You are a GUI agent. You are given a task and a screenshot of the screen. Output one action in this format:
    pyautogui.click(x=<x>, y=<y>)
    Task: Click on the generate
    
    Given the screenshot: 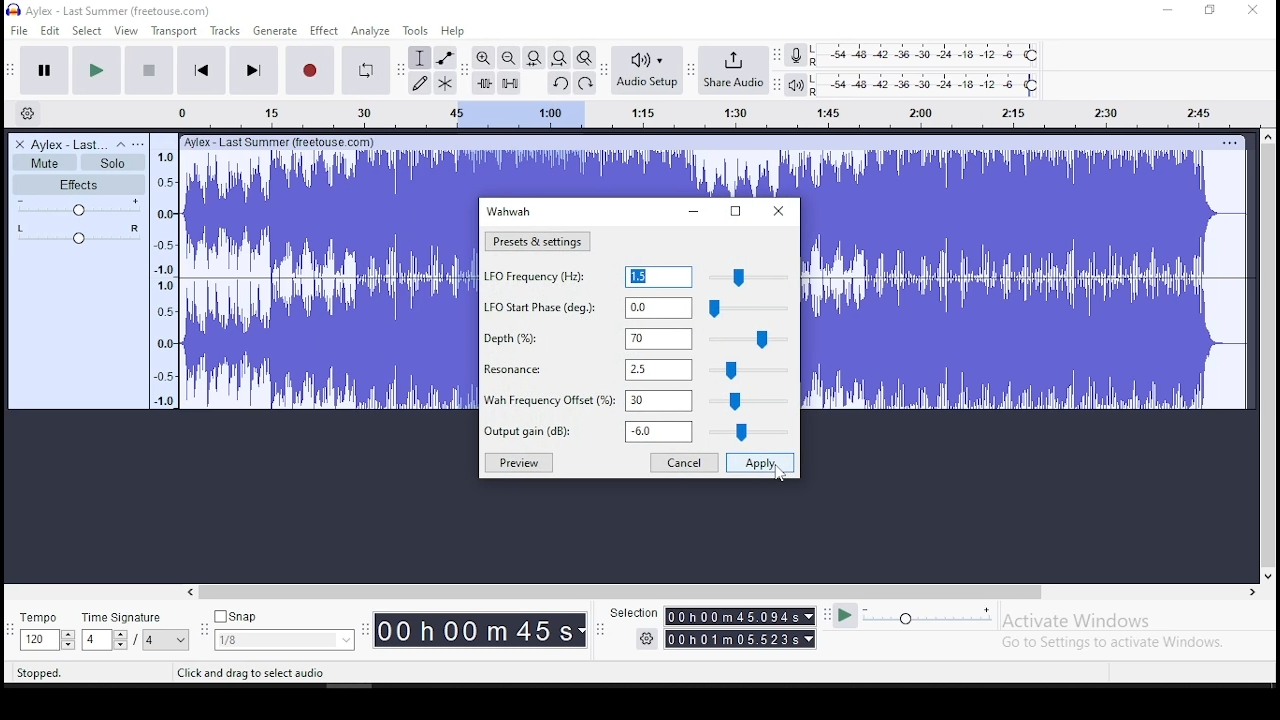 What is the action you would take?
    pyautogui.click(x=276, y=31)
    